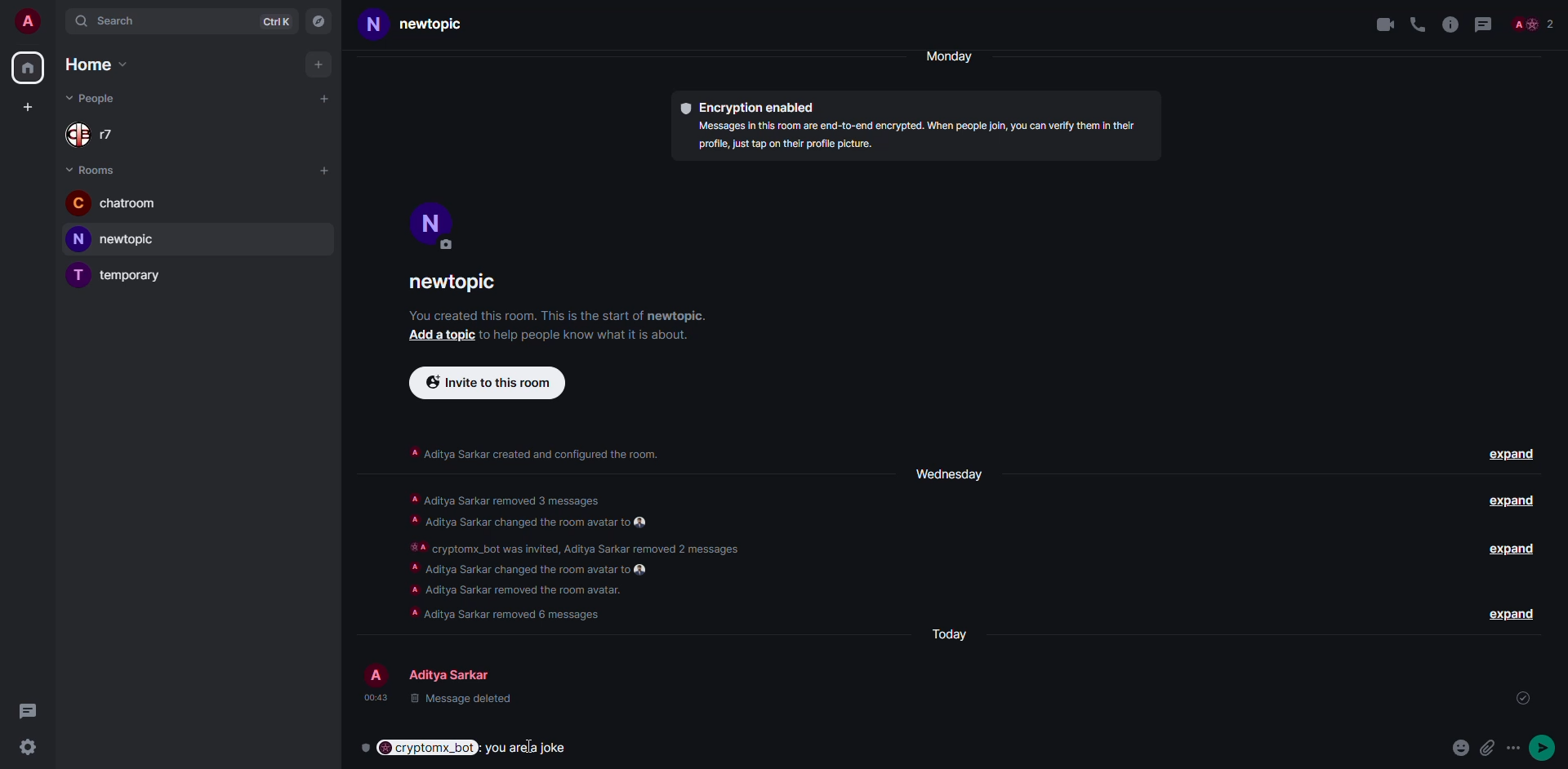 This screenshot has width=1568, height=769. What do you see at coordinates (426, 24) in the screenshot?
I see `room` at bounding box center [426, 24].